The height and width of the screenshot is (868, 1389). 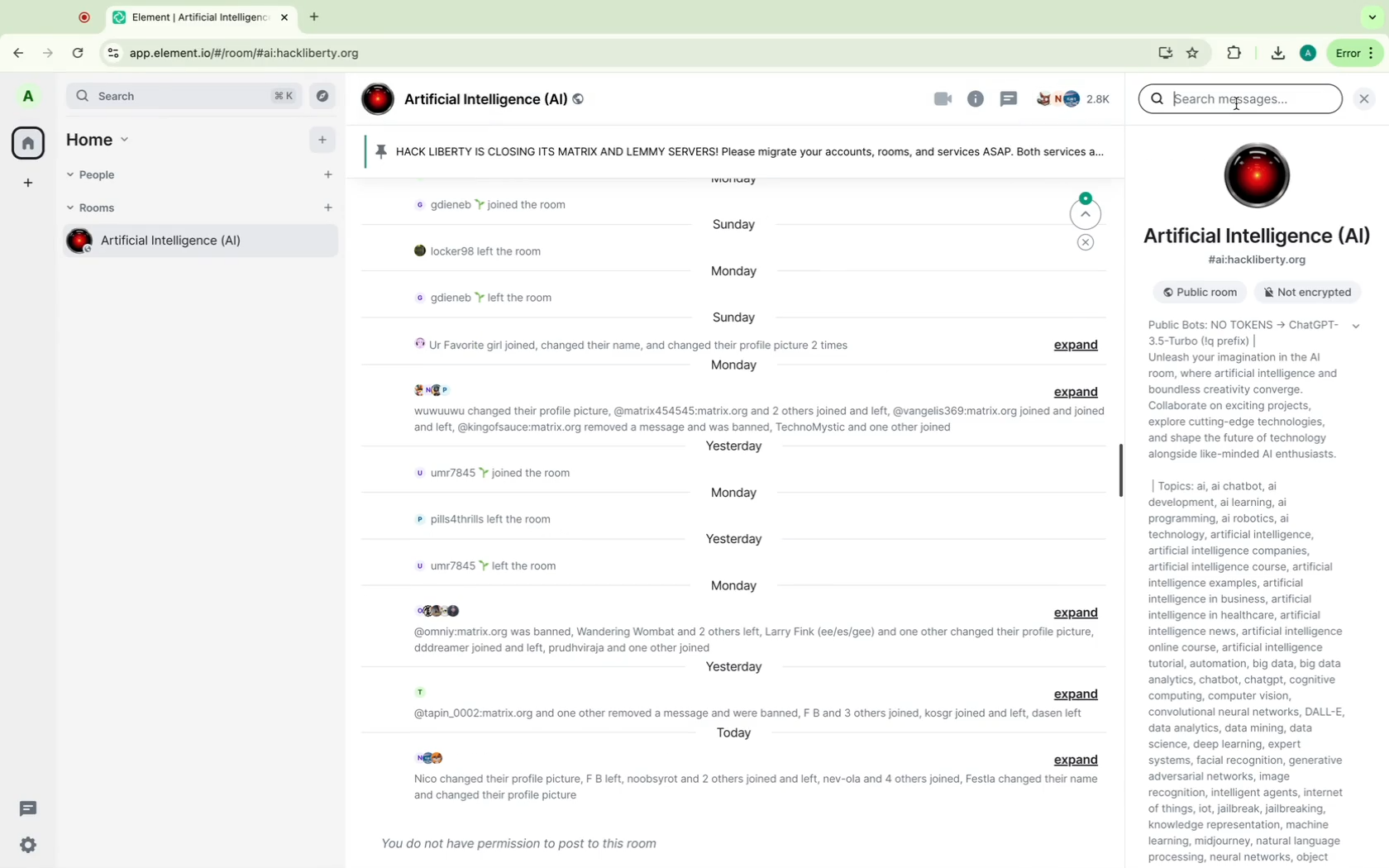 What do you see at coordinates (501, 253) in the screenshot?
I see `message` at bounding box center [501, 253].